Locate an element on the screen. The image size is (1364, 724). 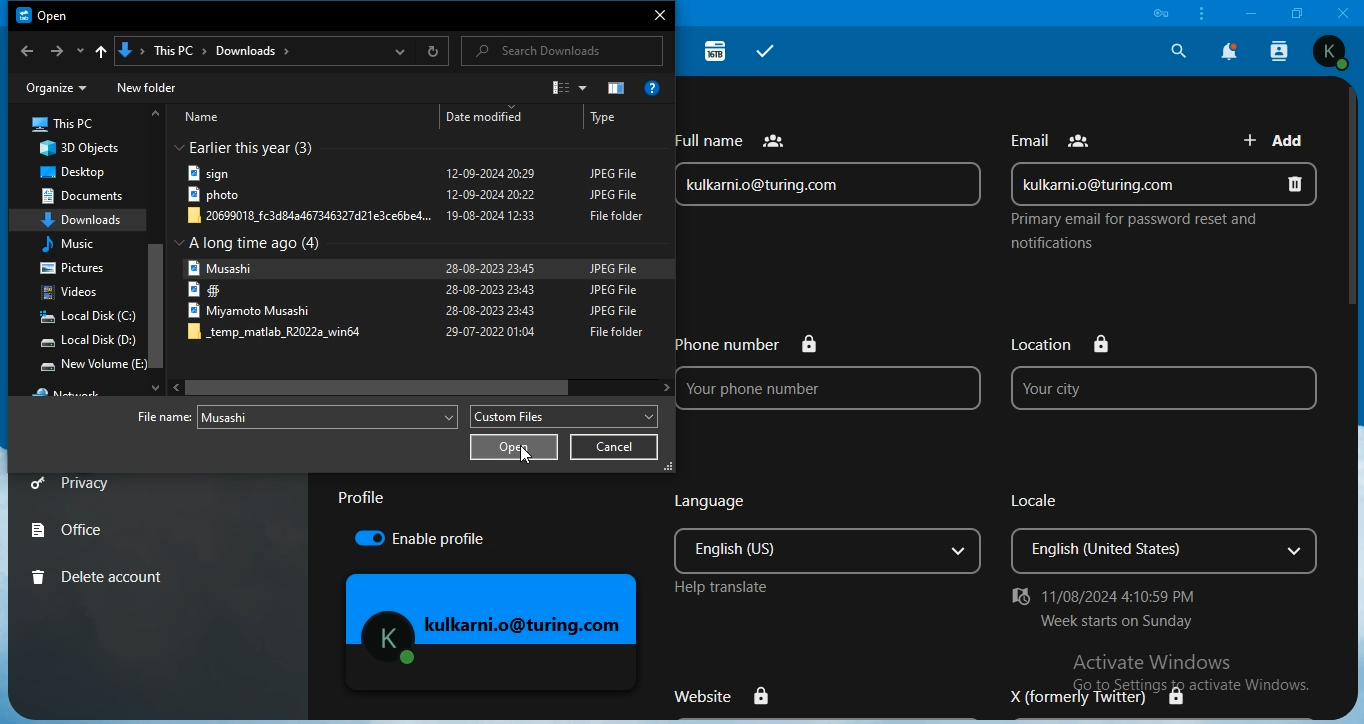
open is located at coordinates (514, 446).